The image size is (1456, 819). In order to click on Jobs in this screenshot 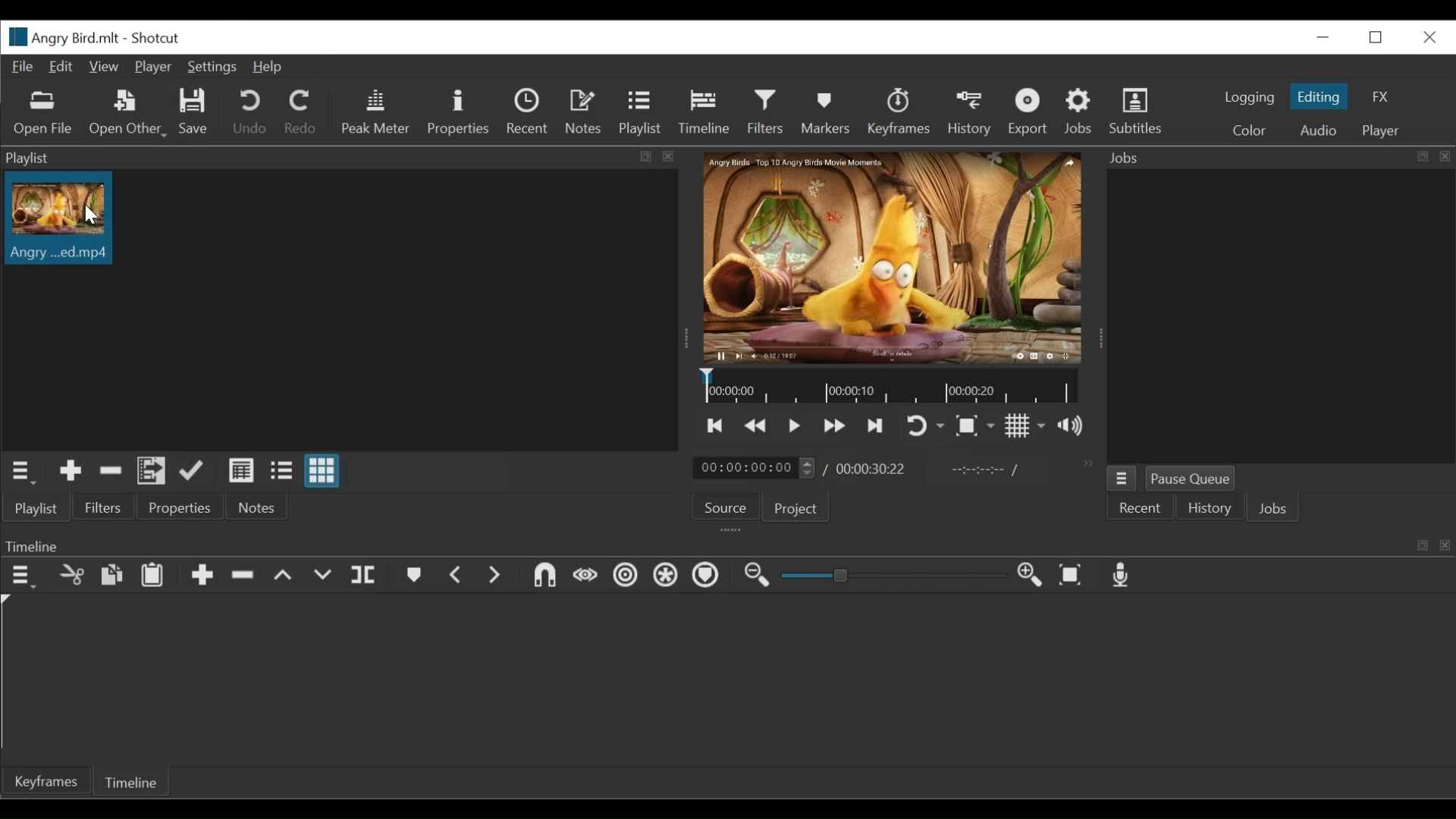, I will do `click(1078, 111)`.